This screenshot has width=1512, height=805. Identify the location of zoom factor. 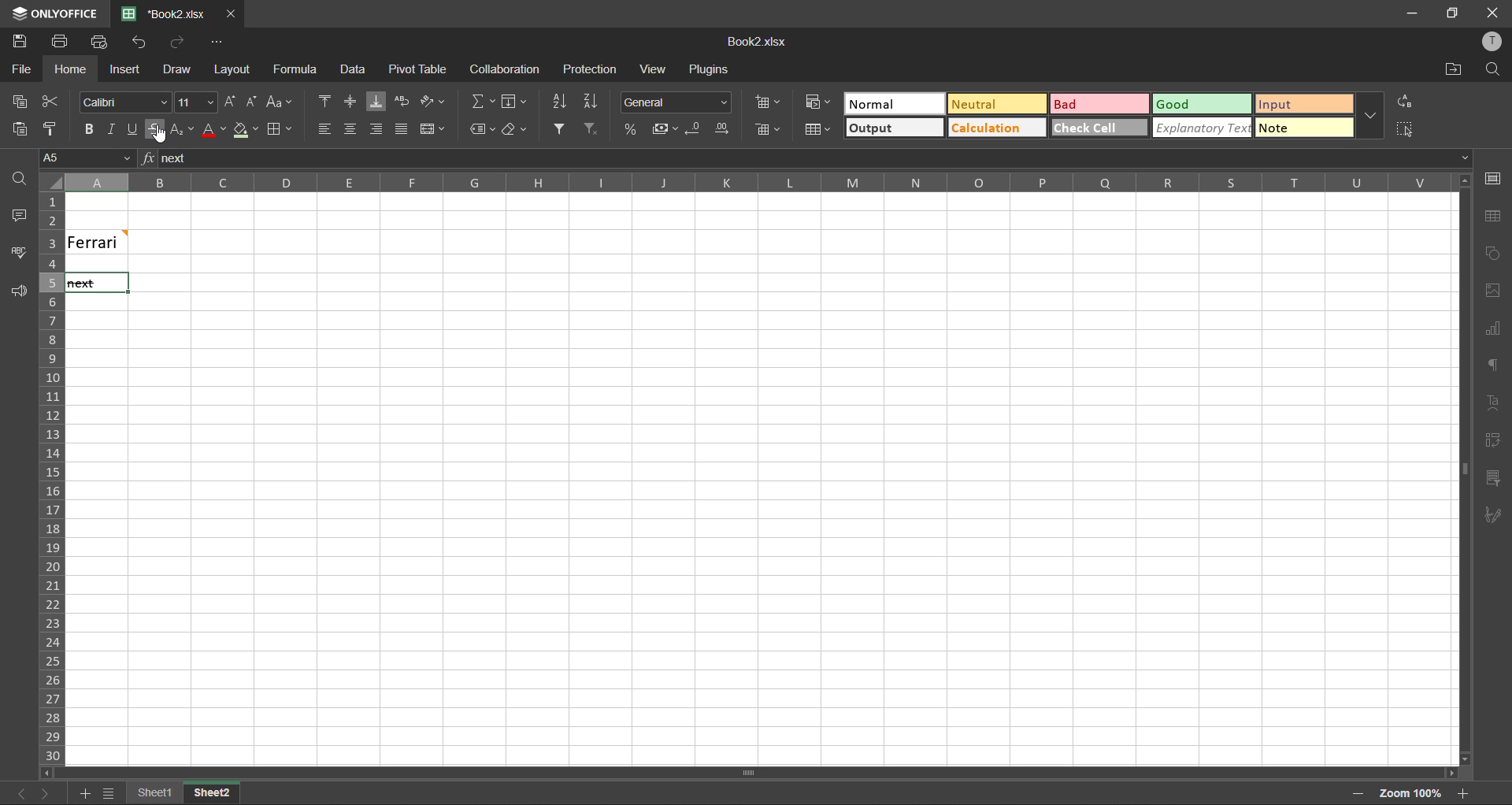
(1410, 792).